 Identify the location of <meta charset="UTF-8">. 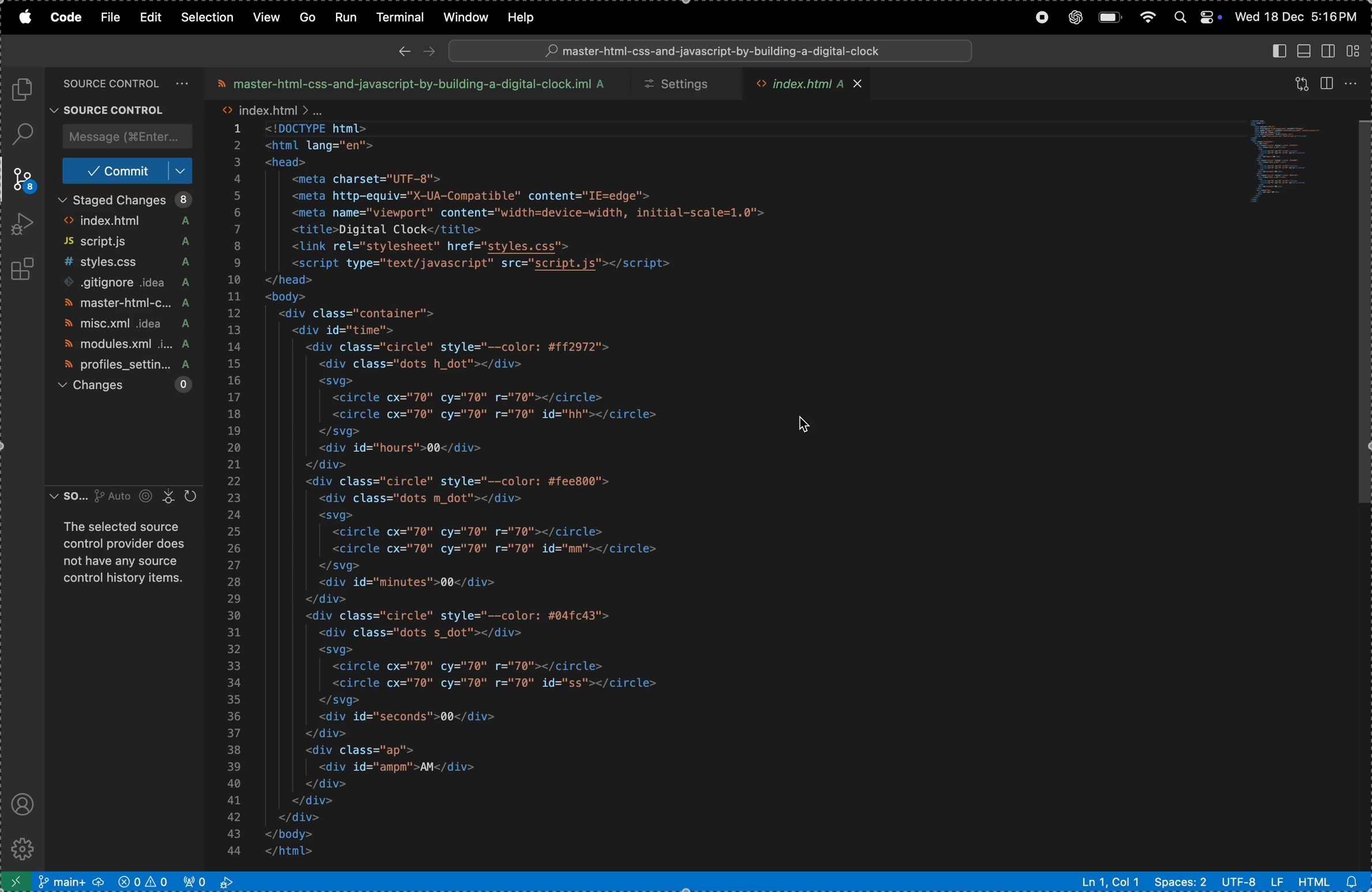
(379, 179).